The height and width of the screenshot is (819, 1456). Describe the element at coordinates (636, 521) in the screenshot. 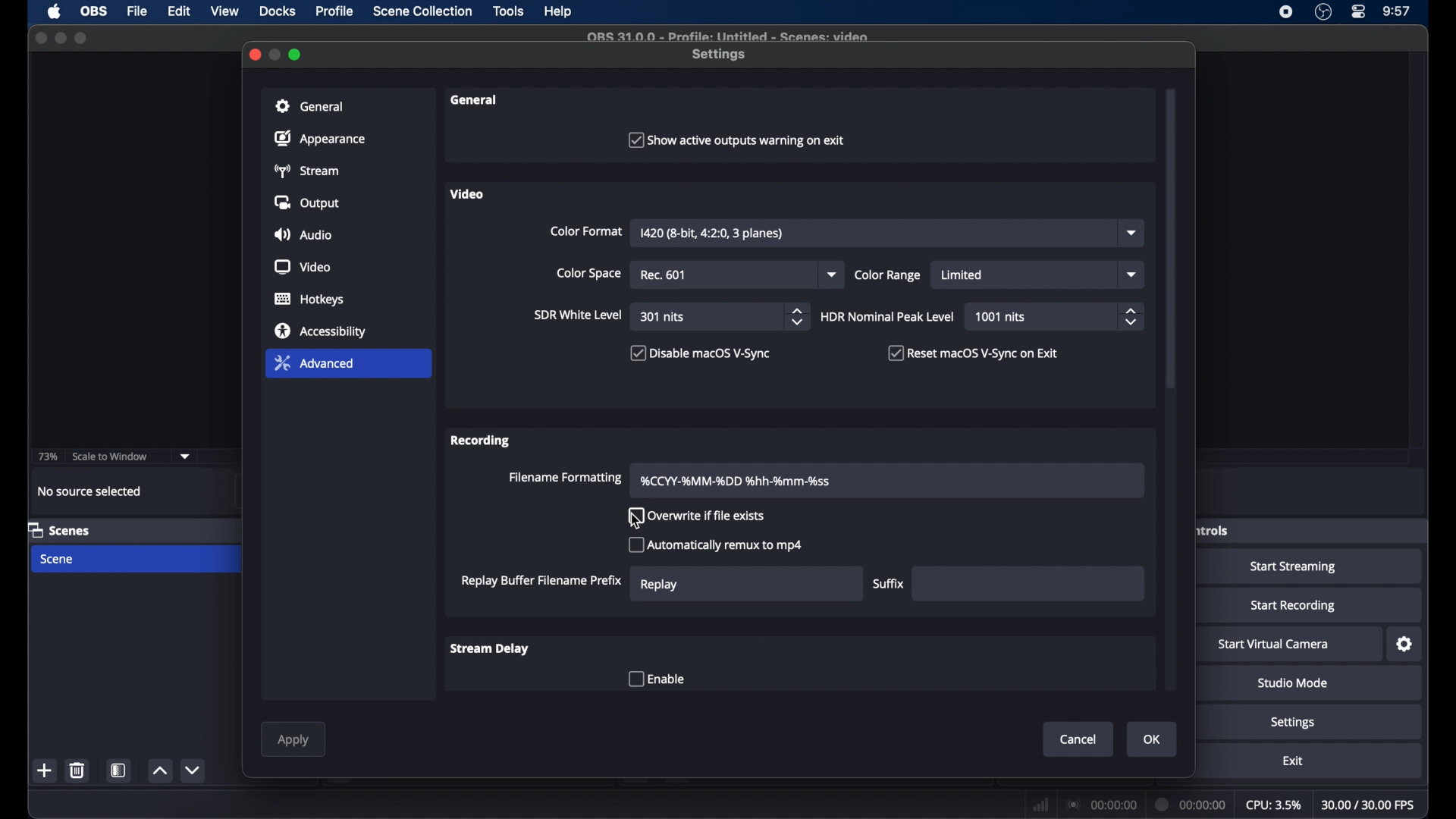

I see `cursor` at that location.